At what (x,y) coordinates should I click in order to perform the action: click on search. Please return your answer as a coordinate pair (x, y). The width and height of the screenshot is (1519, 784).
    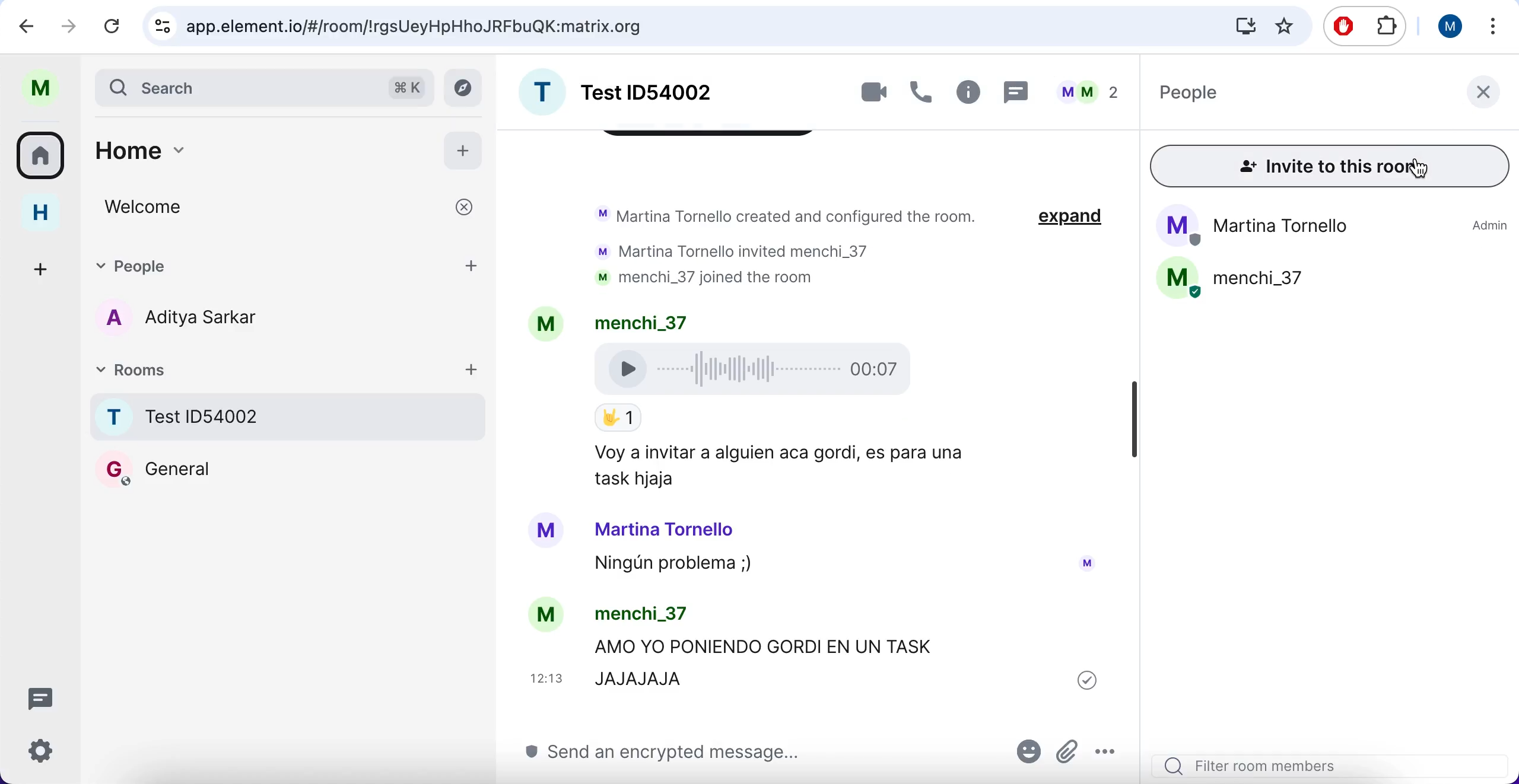
    Looking at the image, I should click on (674, 26).